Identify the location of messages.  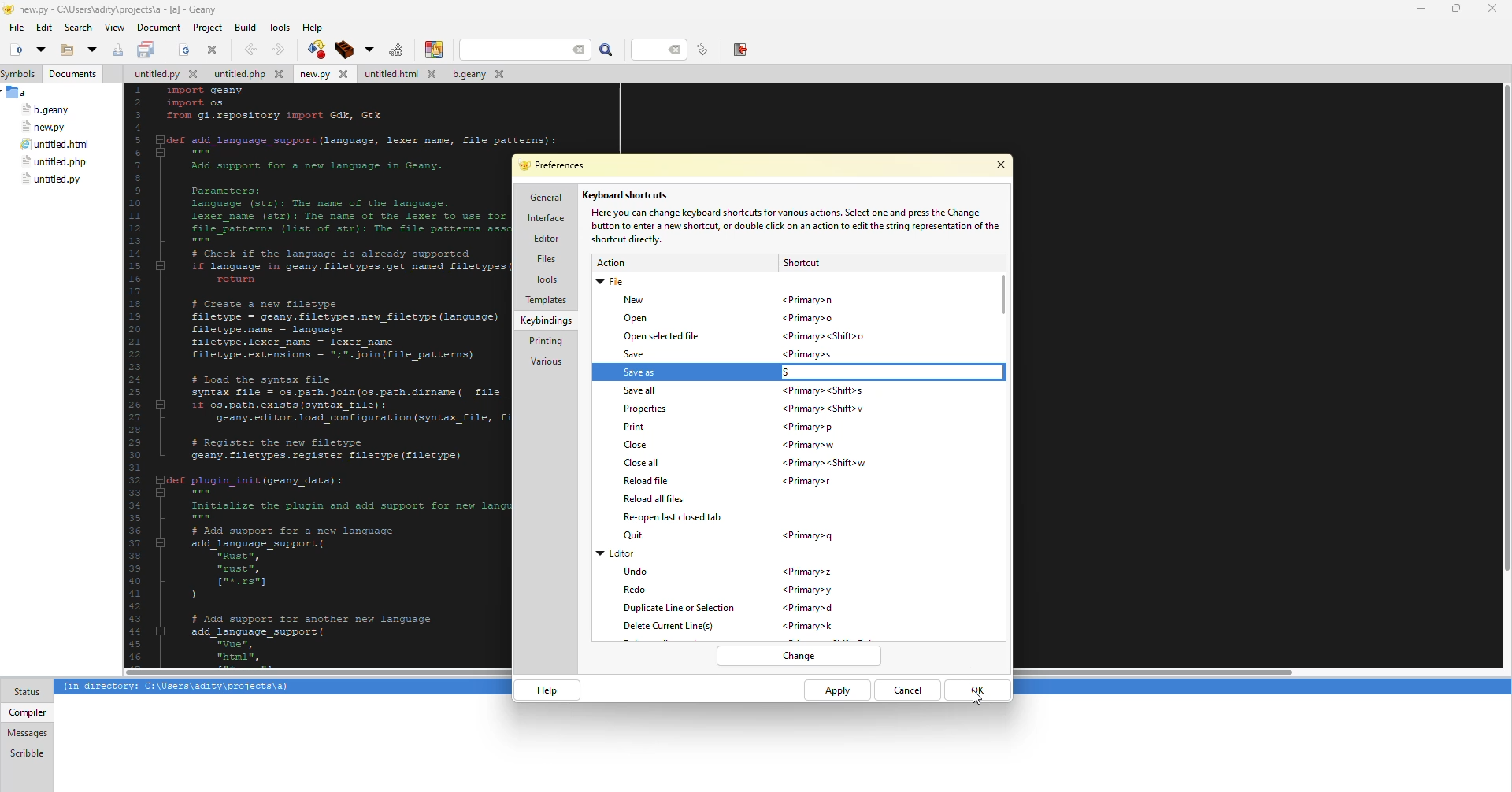
(28, 733).